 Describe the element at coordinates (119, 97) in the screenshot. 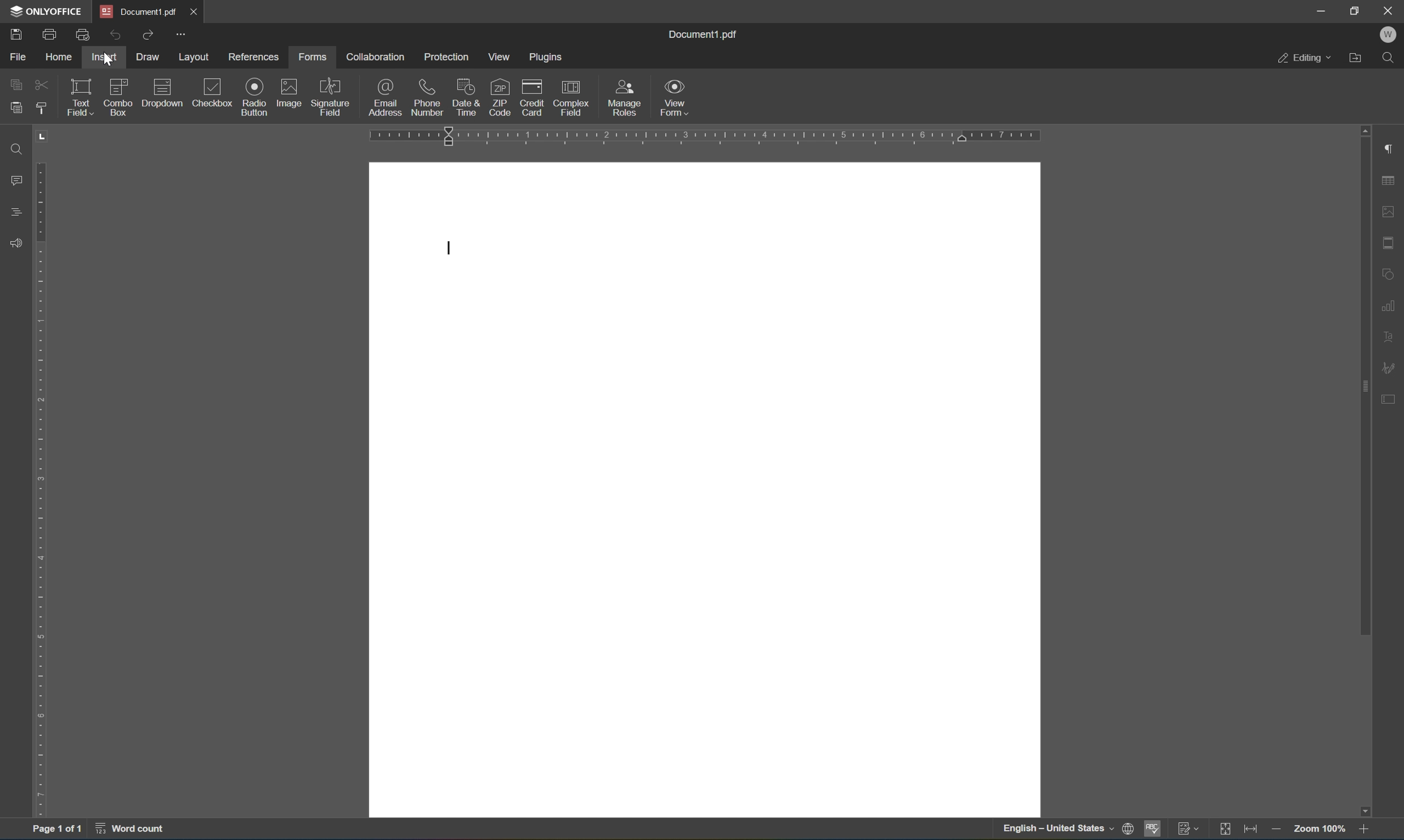

I see `combo box` at that location.